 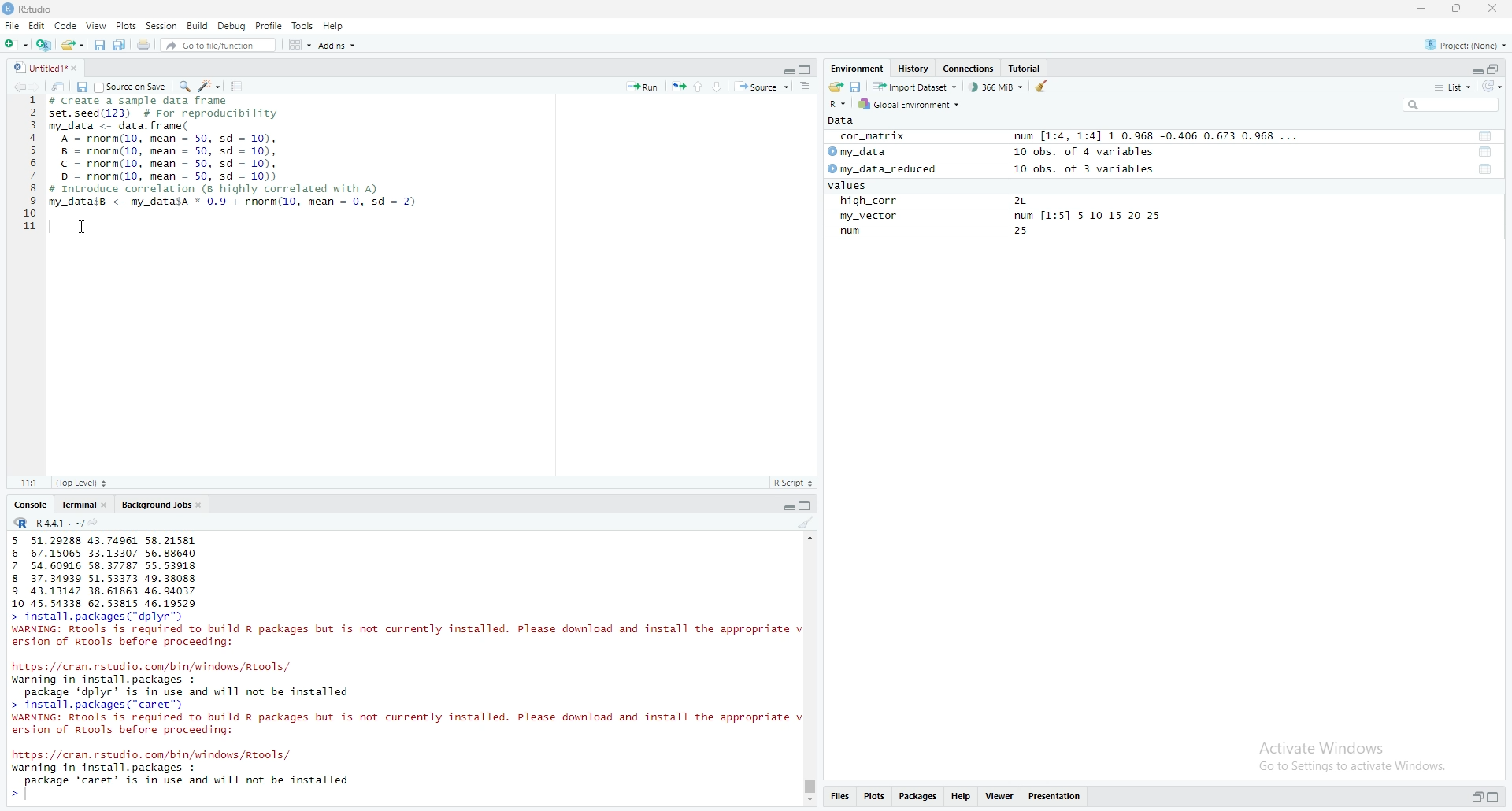 I want to click on values, so click(x=850, y=185).